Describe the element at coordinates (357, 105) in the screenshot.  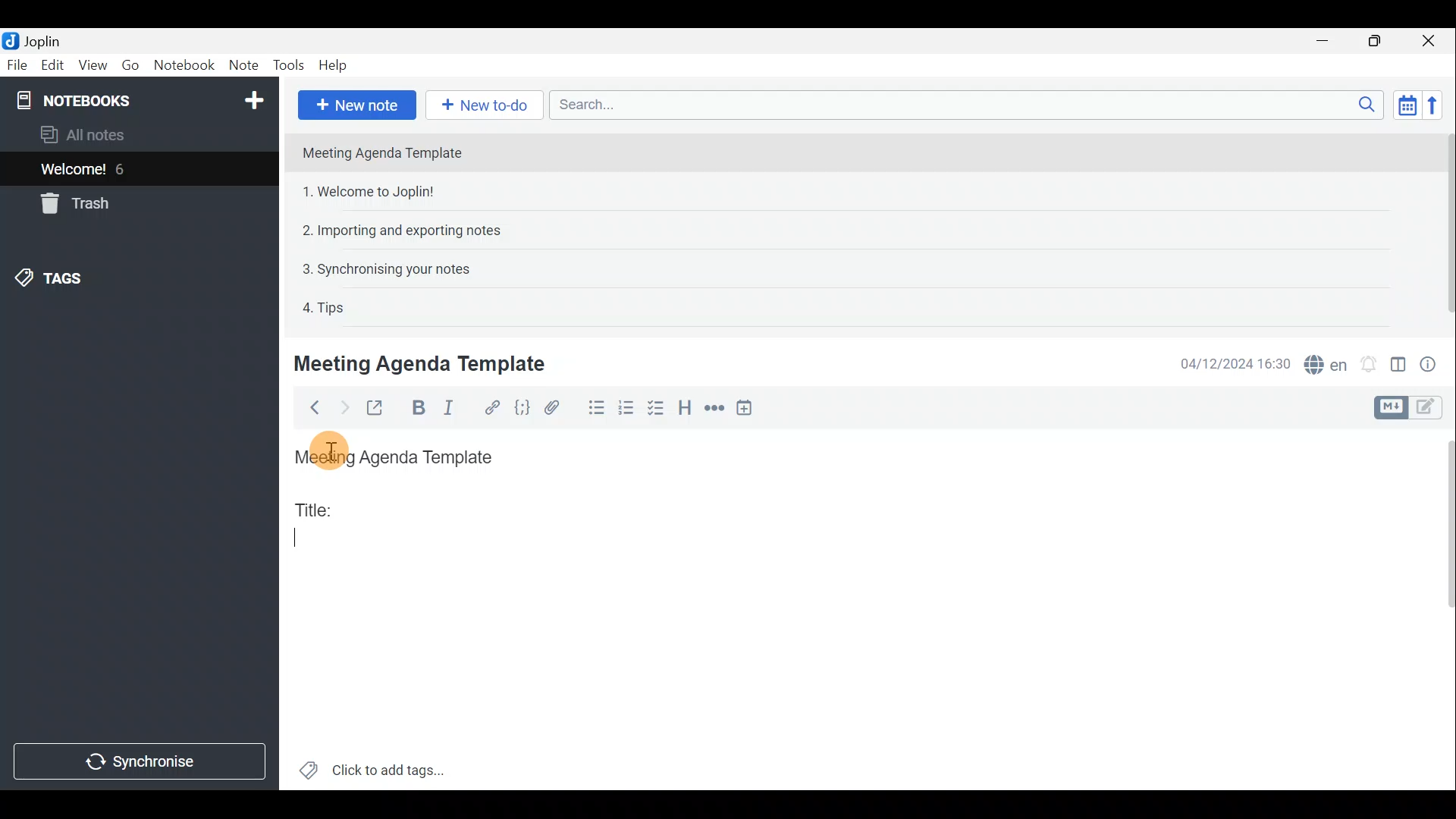
I see `New note` at that location.